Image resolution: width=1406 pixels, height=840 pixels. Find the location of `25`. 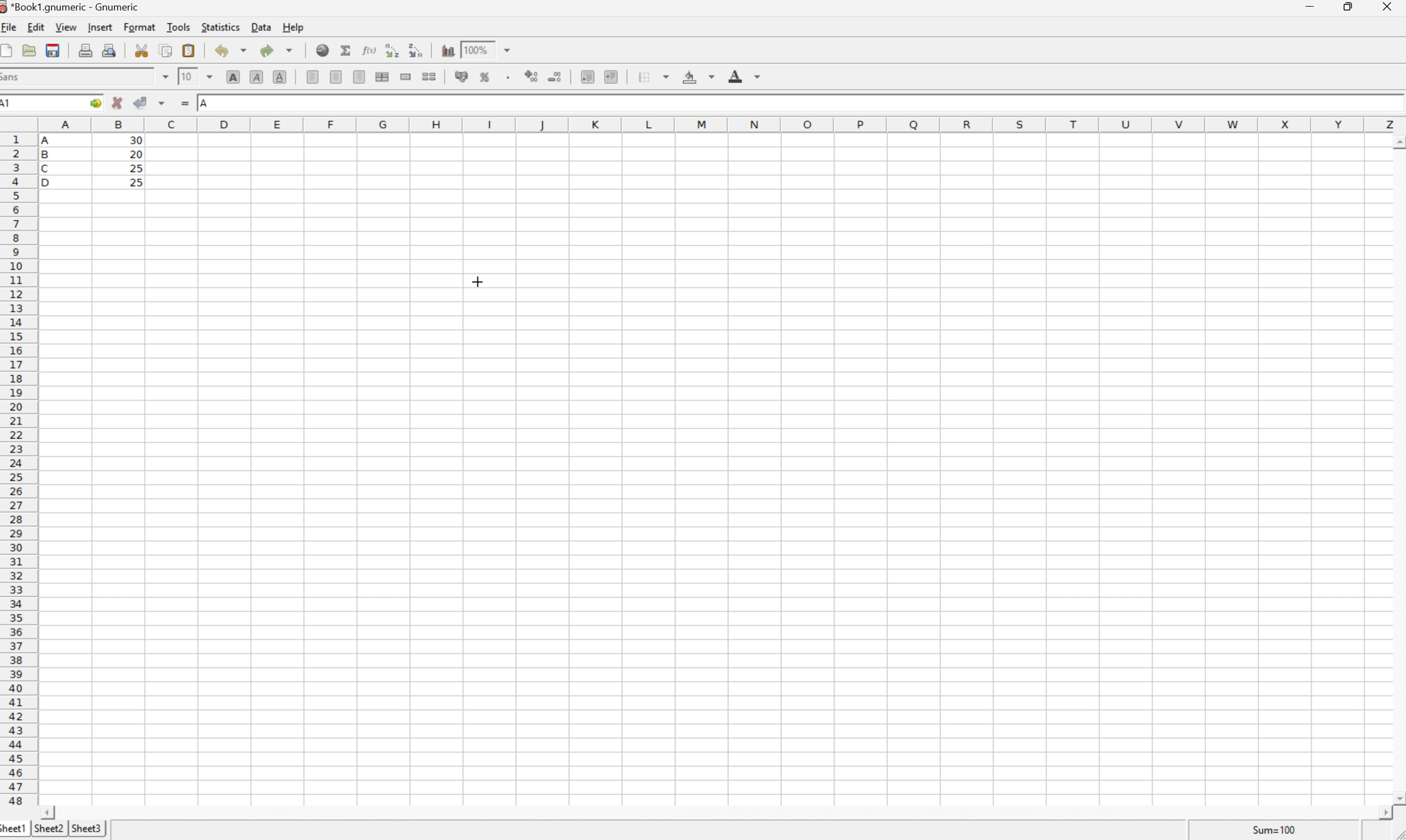

25 is located at coordinates (135, 168).